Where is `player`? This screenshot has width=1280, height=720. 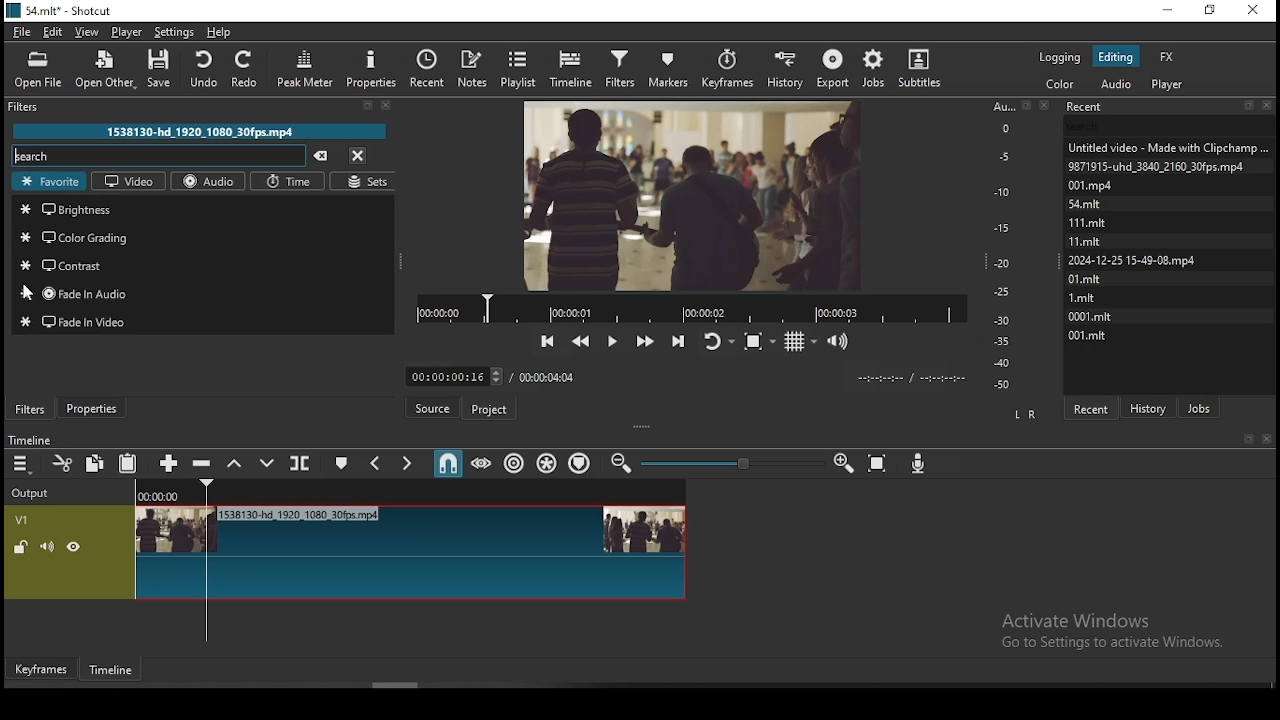
player is located at coordinates (128, 32).